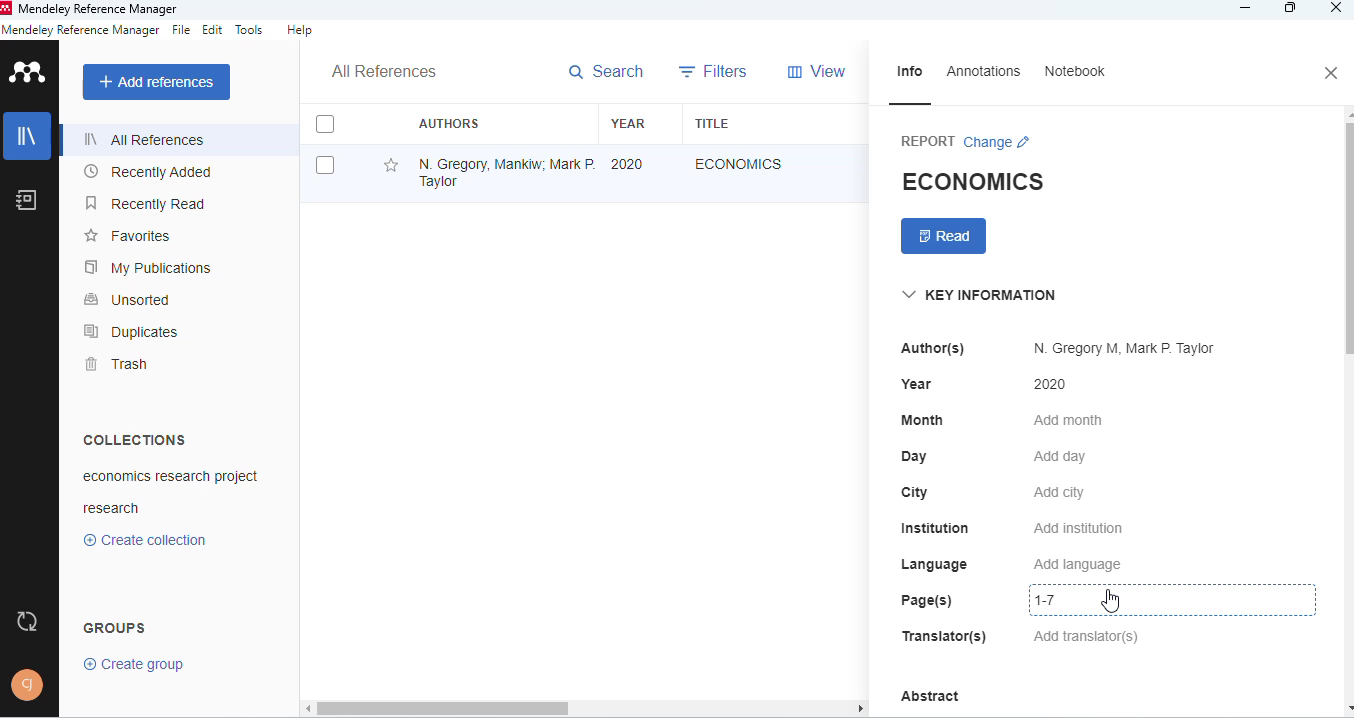 The width and height of the screenshot is (1354, 718). What do you see at coordinates (145, 540) in the screenshot?
I see `create collection` at bounding box center [145, 540].